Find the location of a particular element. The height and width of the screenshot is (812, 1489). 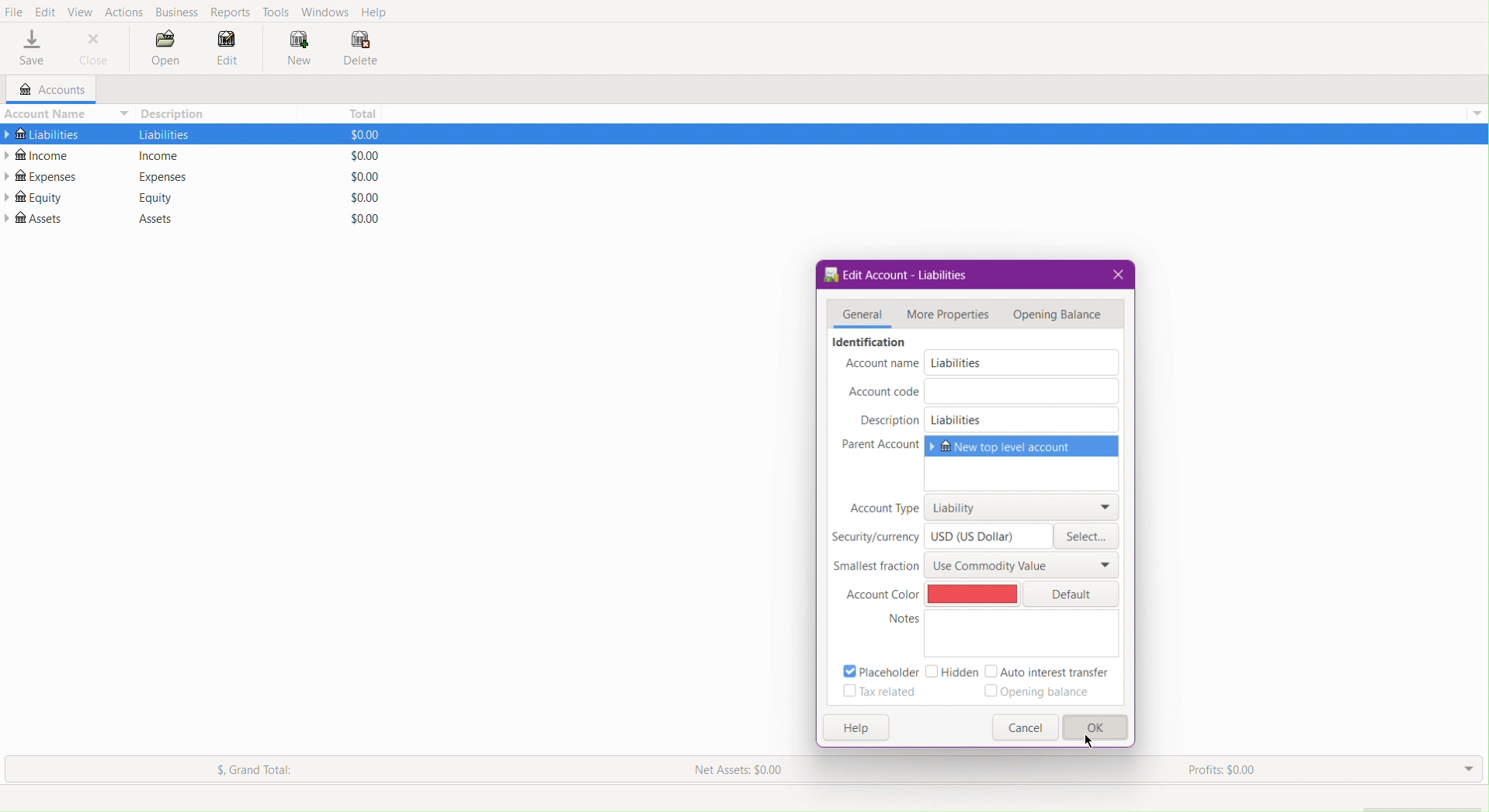

More Properties is located at coordinates (950, 313).